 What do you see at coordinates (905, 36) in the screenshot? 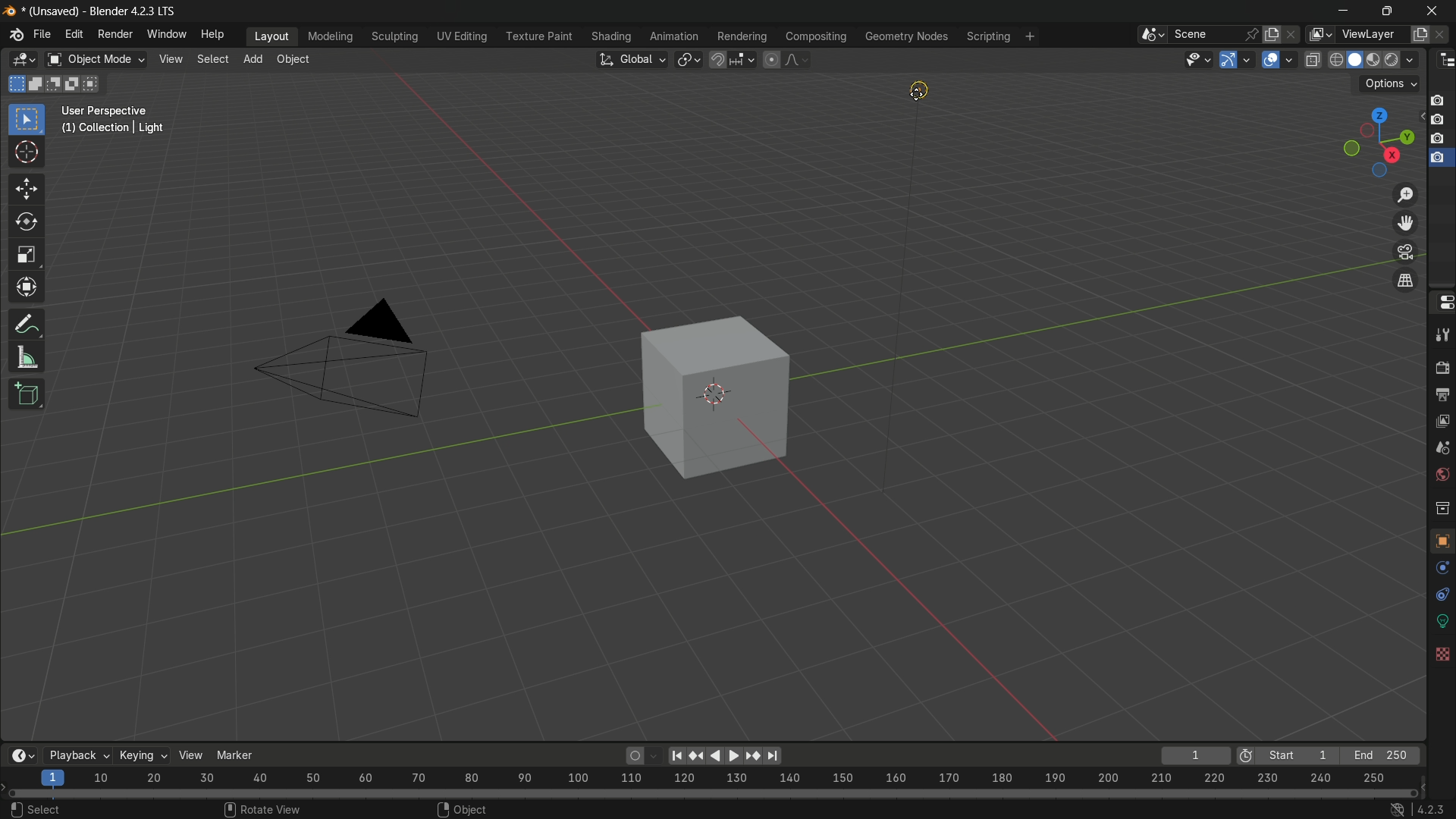
I see `geometry nodes menu` at bounding box center [905, 36].